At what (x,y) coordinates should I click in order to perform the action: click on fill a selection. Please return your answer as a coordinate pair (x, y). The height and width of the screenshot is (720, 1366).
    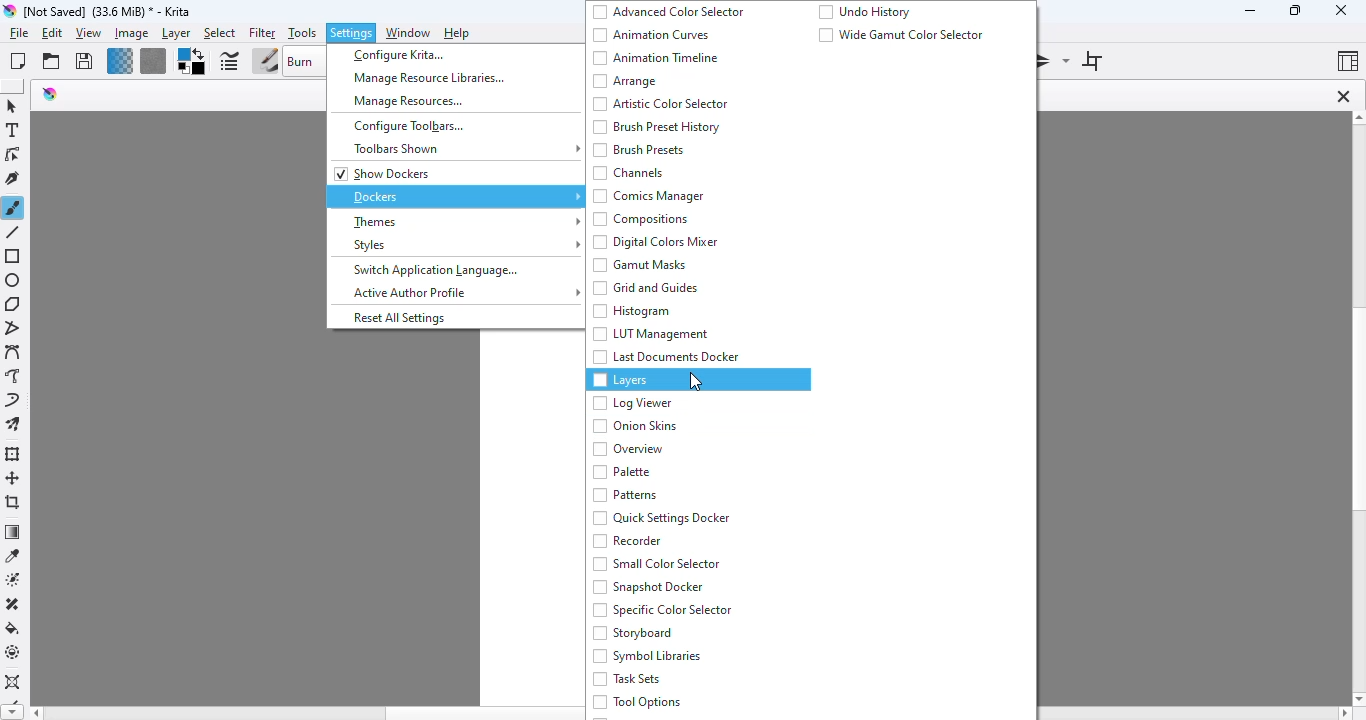
    Looking at the image, I should click on (13, 628).